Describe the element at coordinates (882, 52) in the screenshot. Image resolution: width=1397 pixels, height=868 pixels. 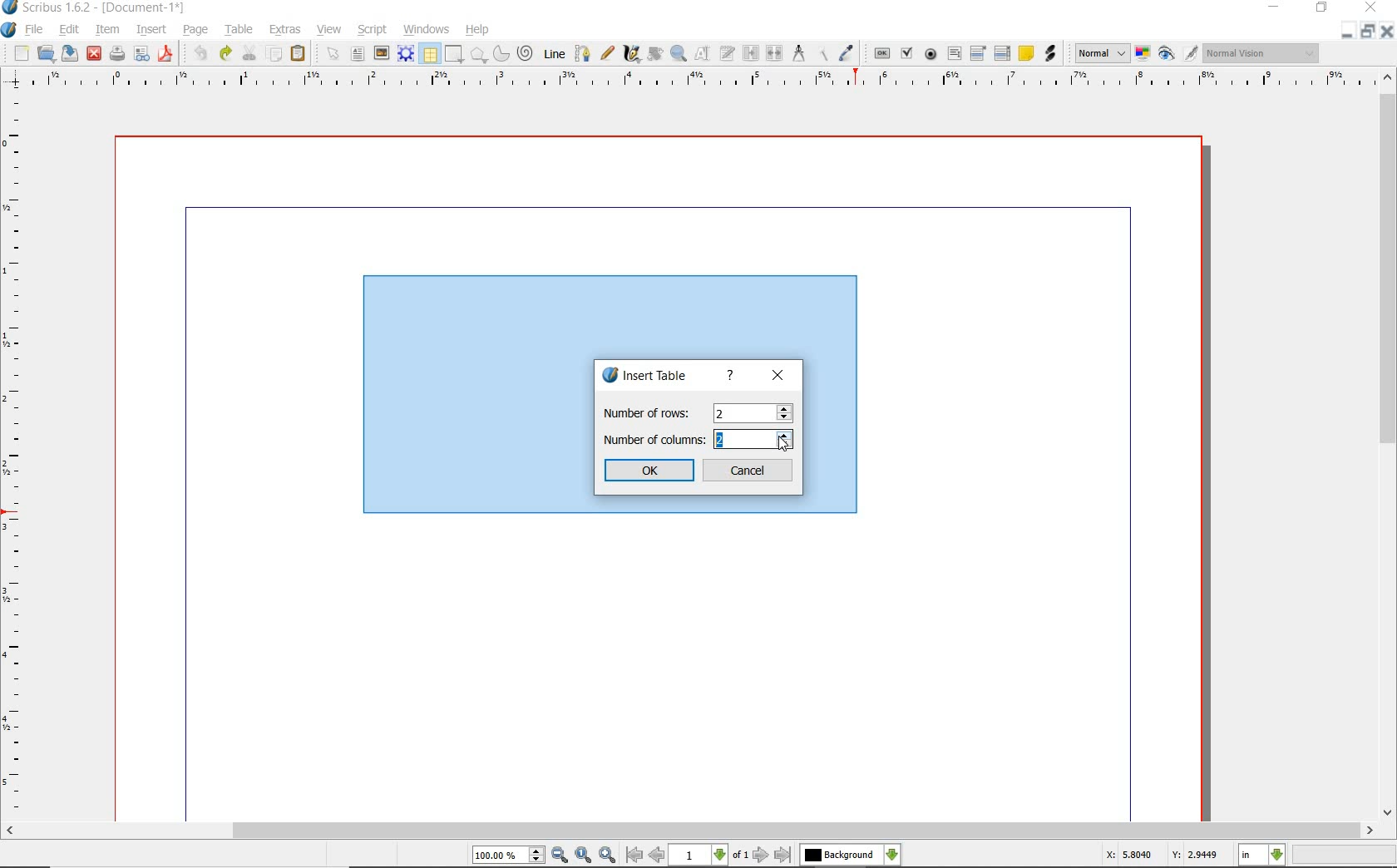
I see `pdf push button` at that location.